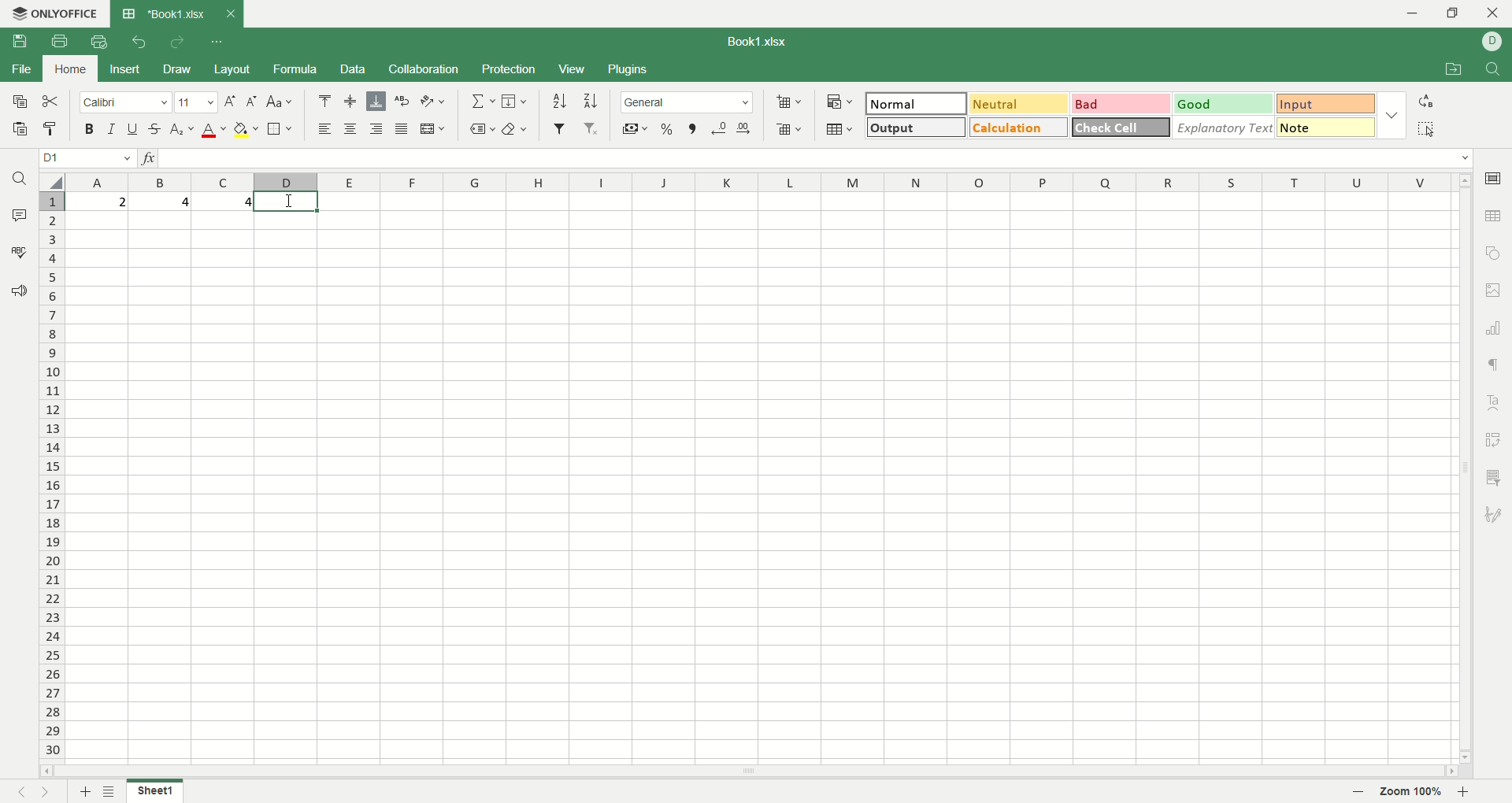 This screenshot has width=1512, height=803. I want to click on normal, so click(919, 102).